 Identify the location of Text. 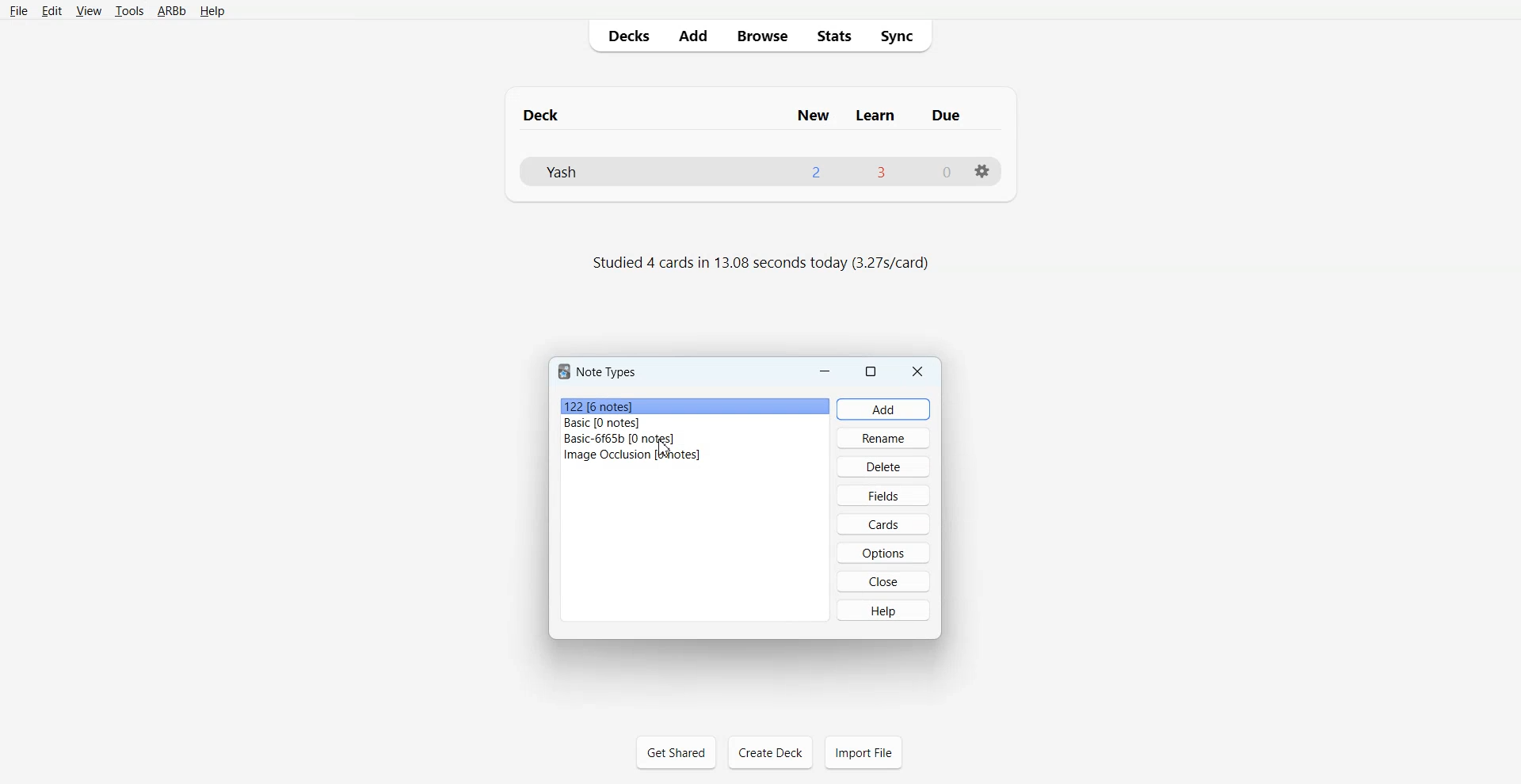
(760, 108).